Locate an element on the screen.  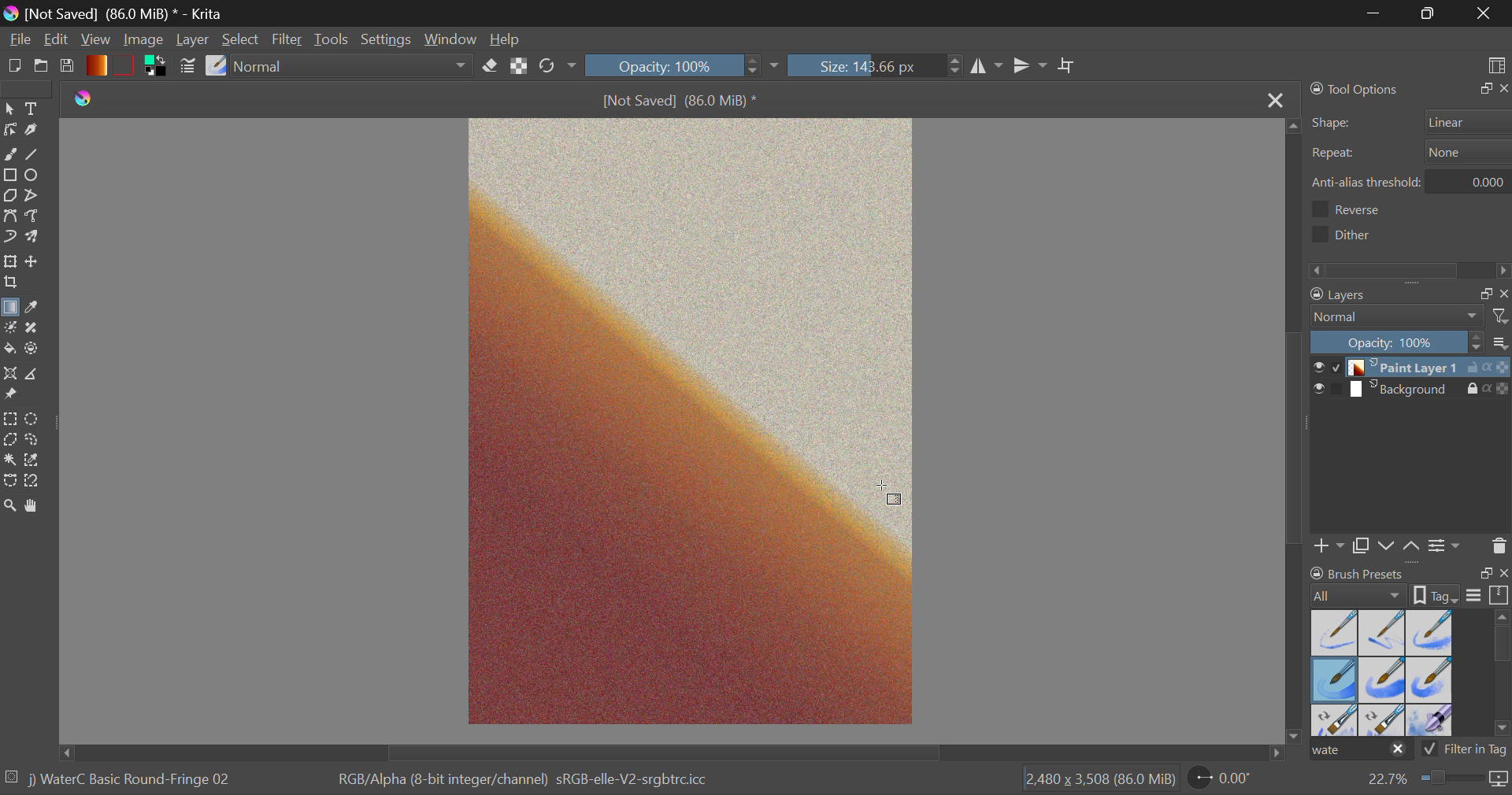
move down is located at coordinates (1387, 545).